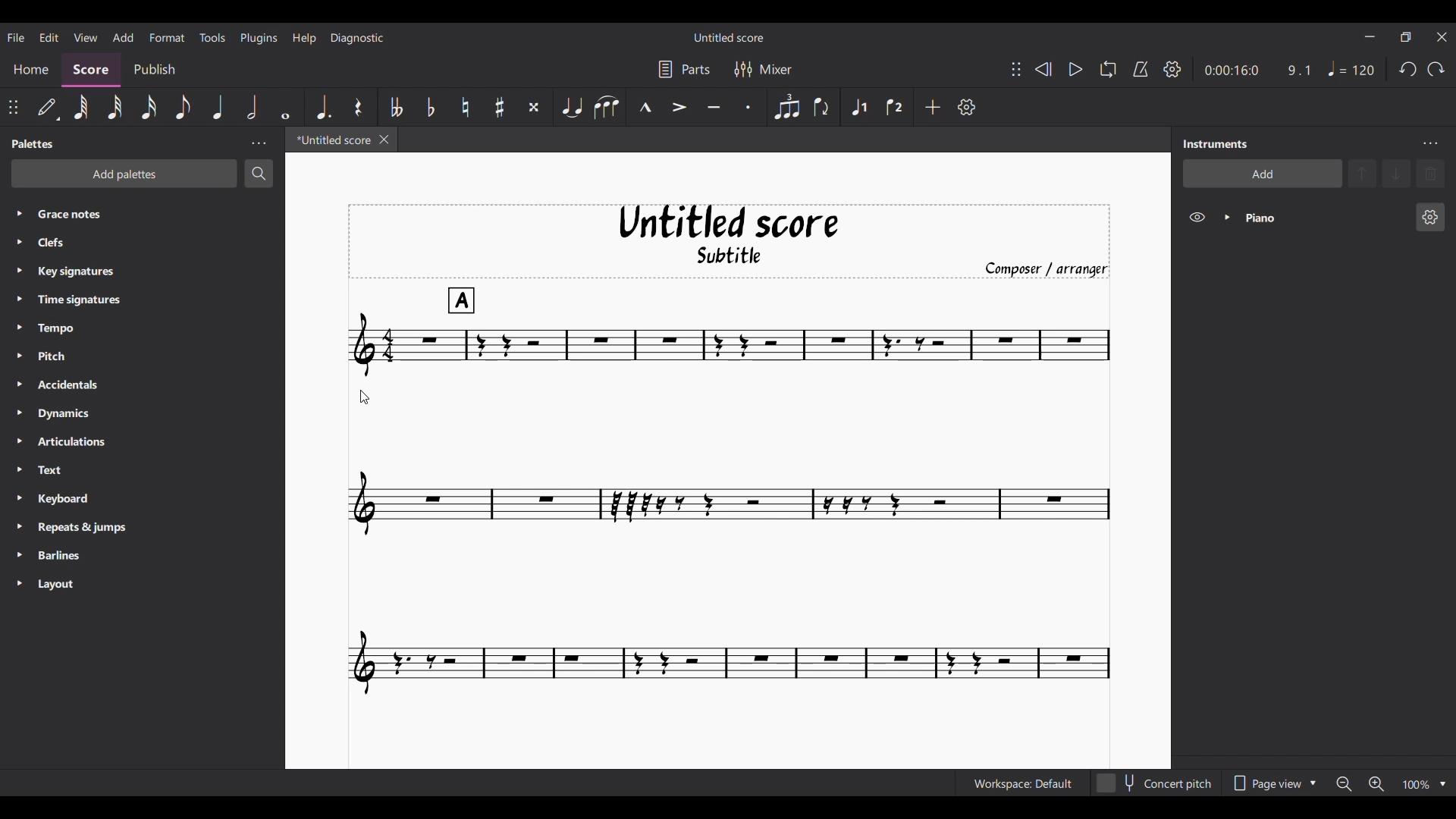  I want to click on Publish section, so click(156, 67).